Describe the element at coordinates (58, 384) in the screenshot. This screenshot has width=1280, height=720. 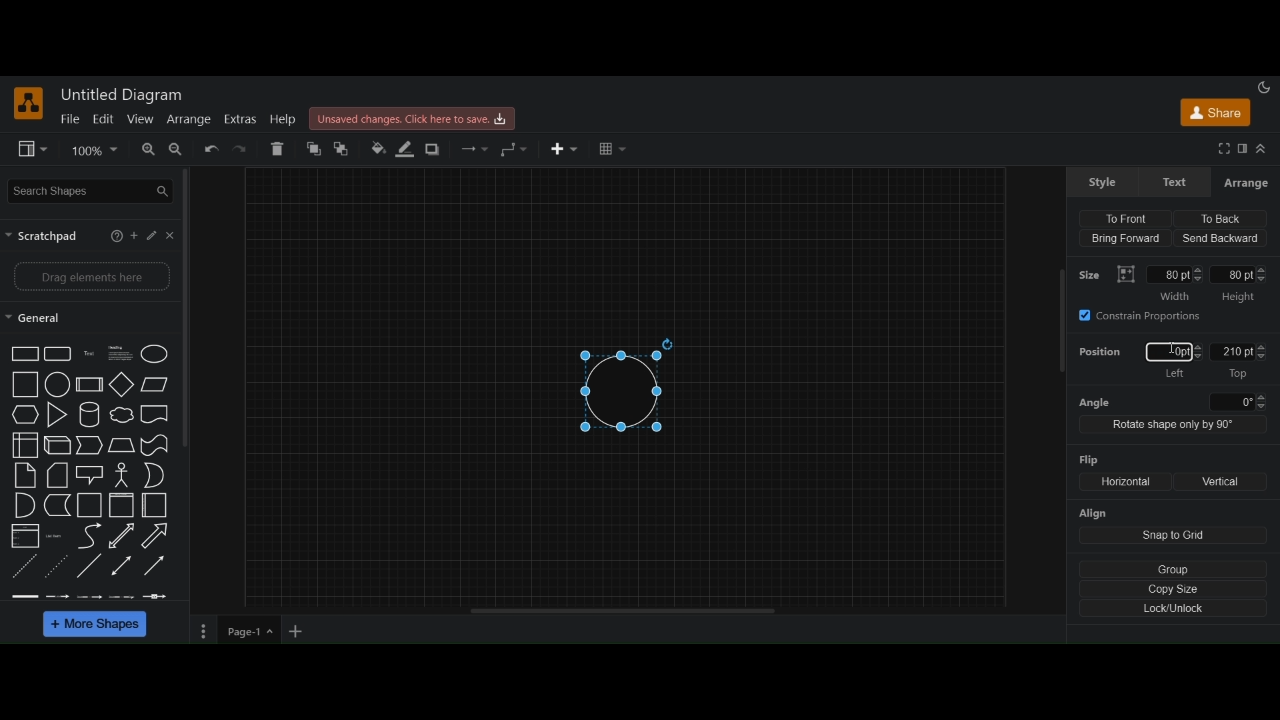
I see `Circle` at that location.